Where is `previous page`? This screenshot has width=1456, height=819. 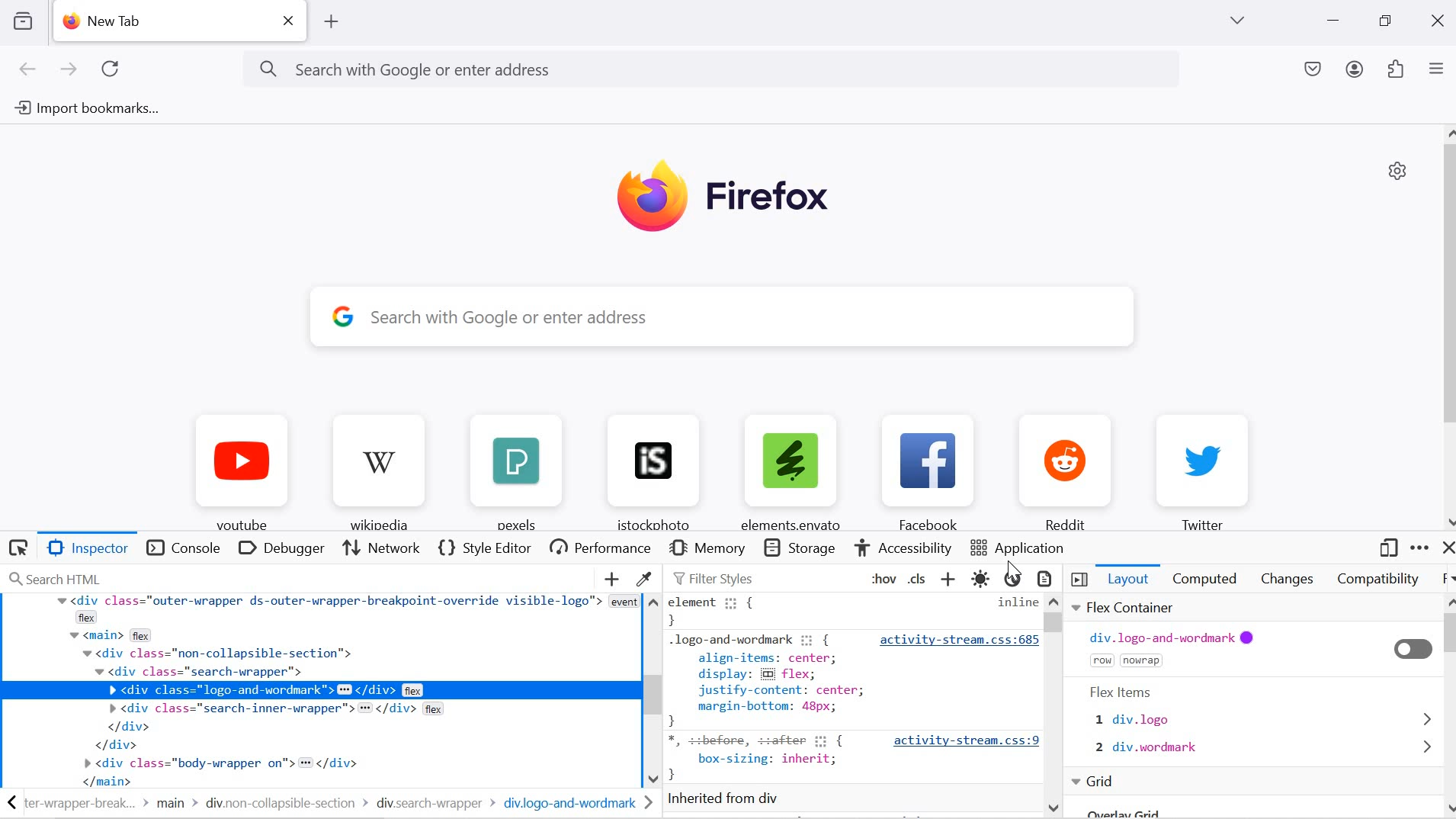 previous page is located at coordinates (30, 71).